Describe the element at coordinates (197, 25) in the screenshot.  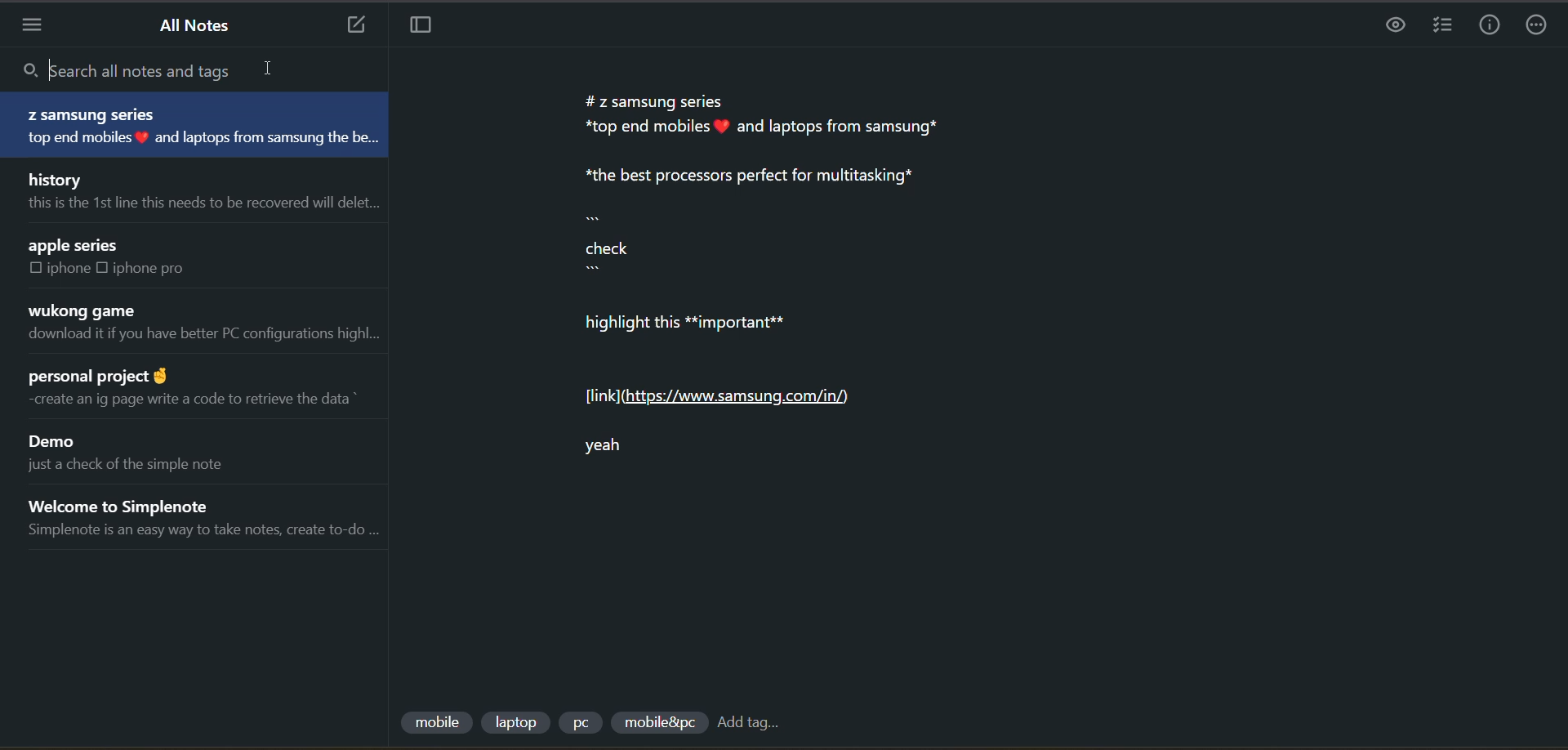
I see `all notes` at that location.